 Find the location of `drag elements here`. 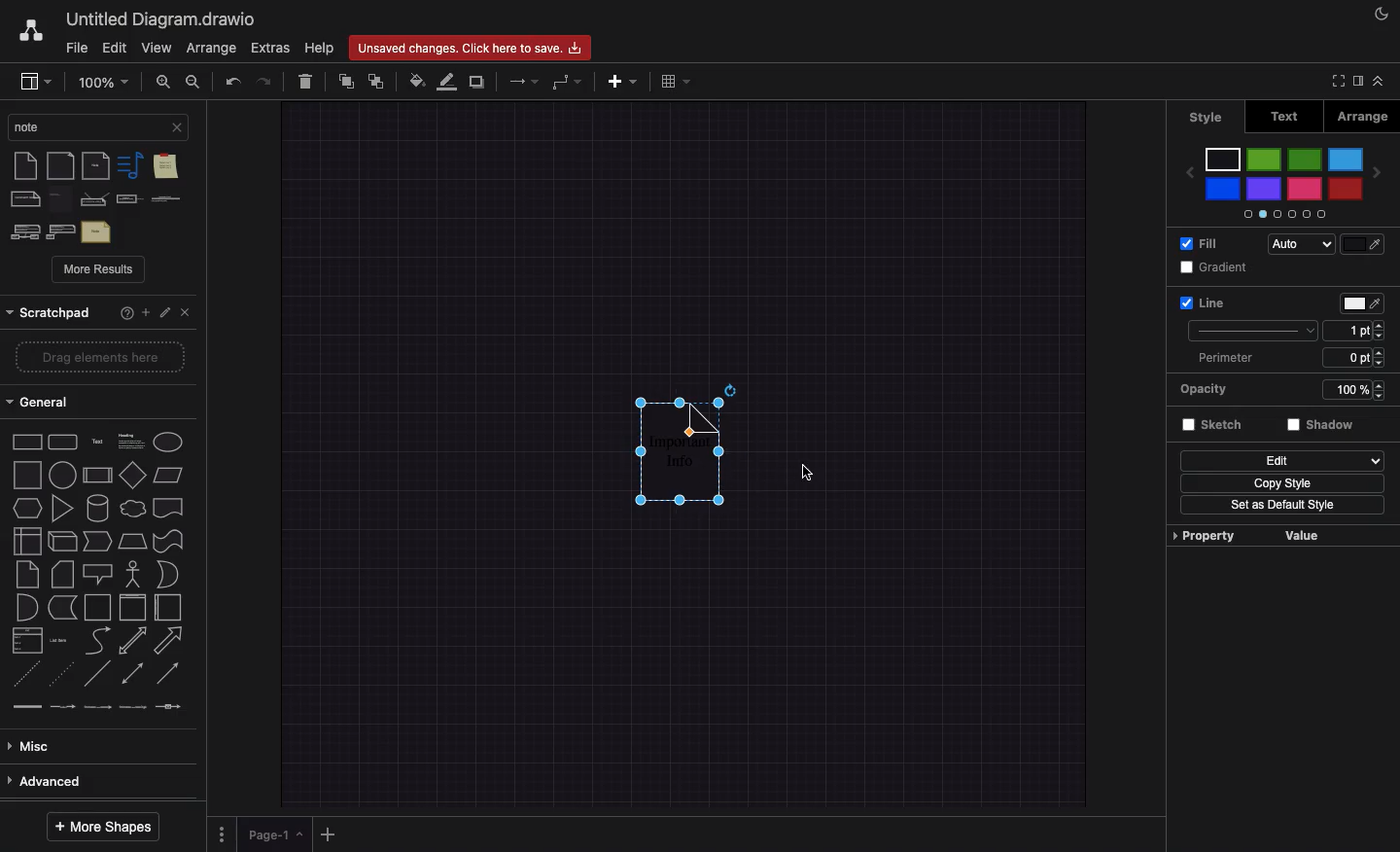

drag elements here is located at coordinates (96, 358).